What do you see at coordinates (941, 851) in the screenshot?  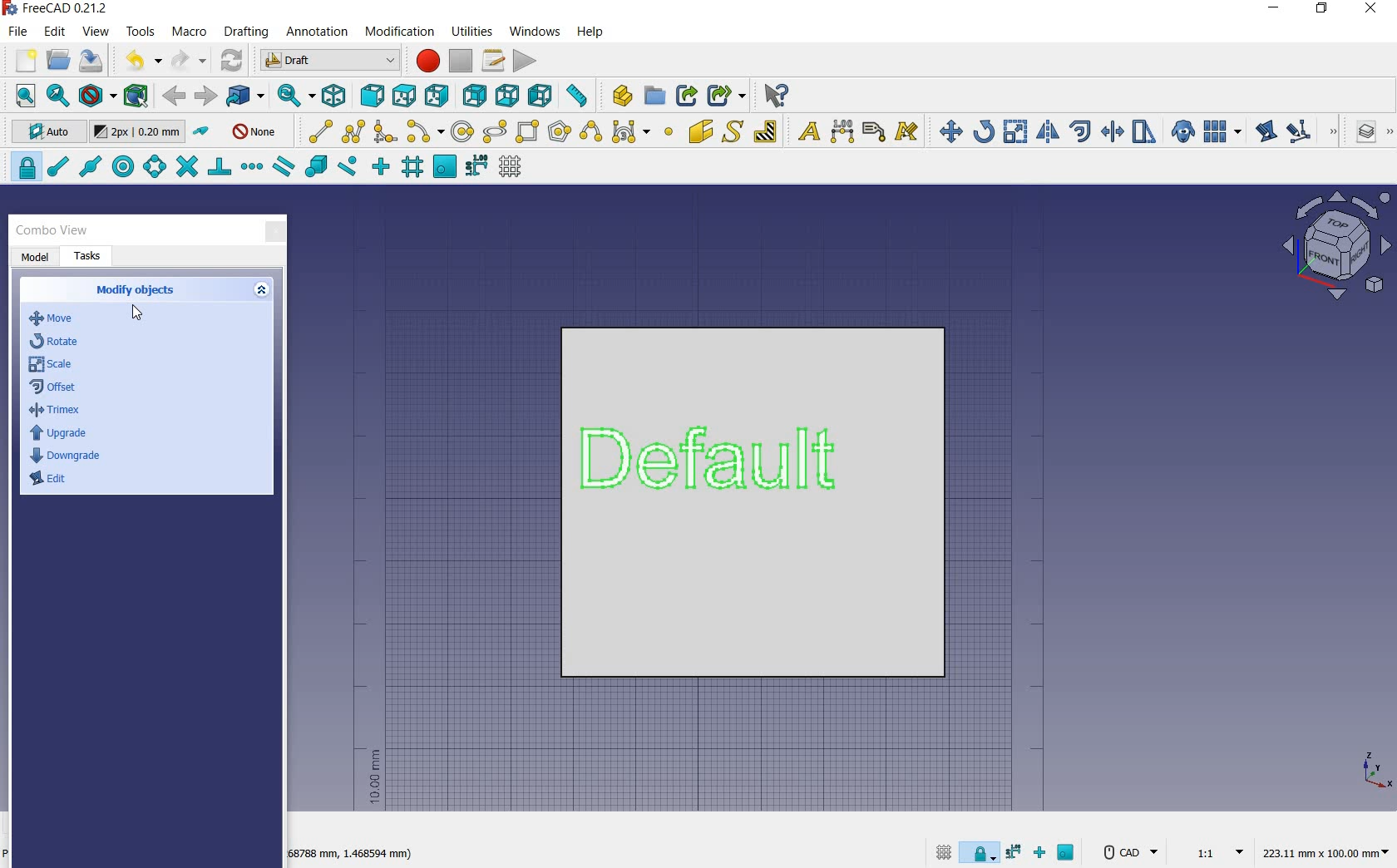 I see `toggle grid` at bounding box center [941, 851].